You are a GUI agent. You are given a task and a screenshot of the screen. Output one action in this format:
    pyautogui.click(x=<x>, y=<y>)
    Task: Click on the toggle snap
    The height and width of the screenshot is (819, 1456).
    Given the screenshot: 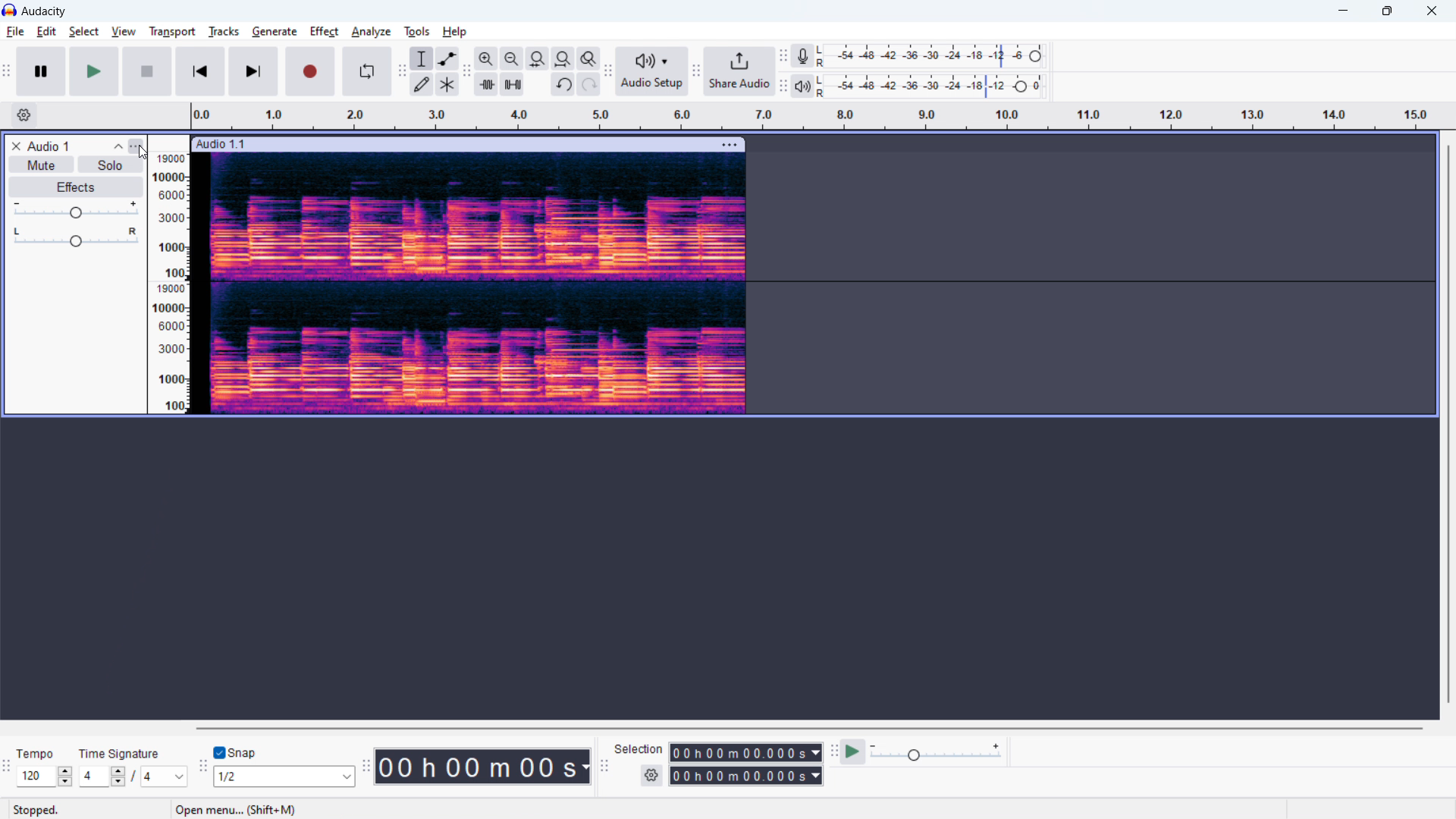 What is the action you would take?
    pyautogui.click(x=240, y=752)
    